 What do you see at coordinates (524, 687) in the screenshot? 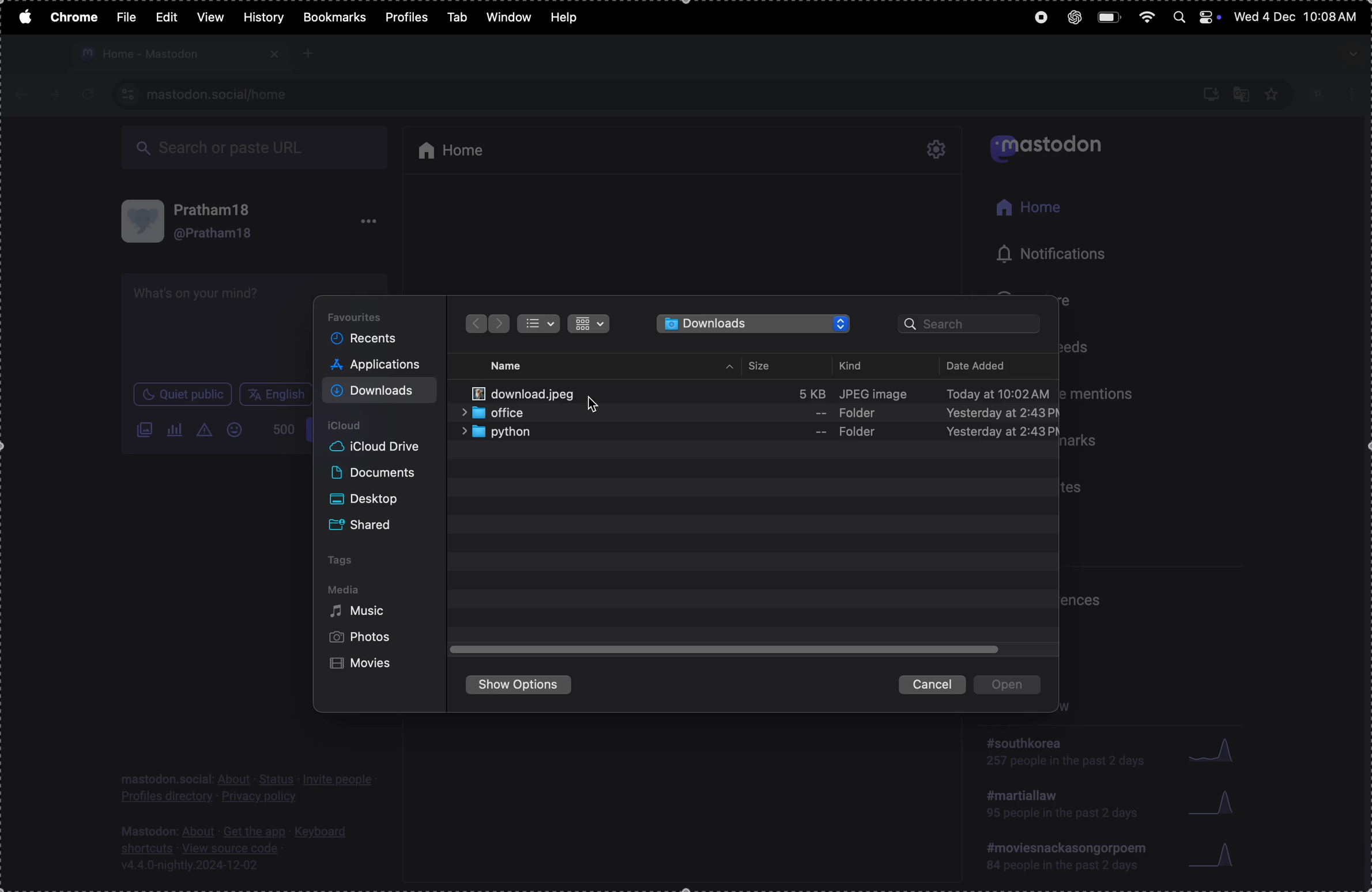
I see `show options` at bounding box center [524, 687].